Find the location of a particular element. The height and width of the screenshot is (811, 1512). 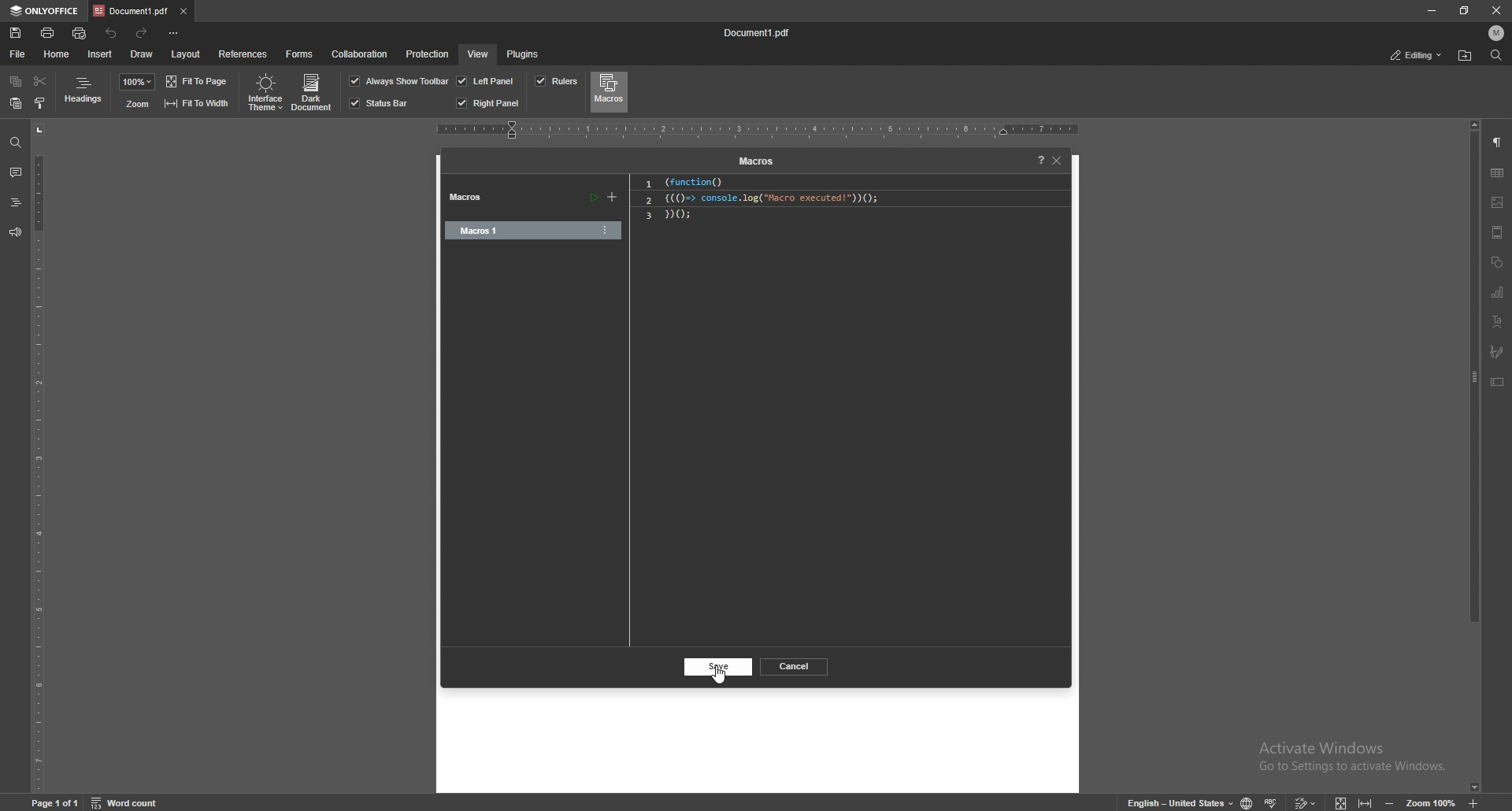

horizontal scale is located at coordinates (758, 130).